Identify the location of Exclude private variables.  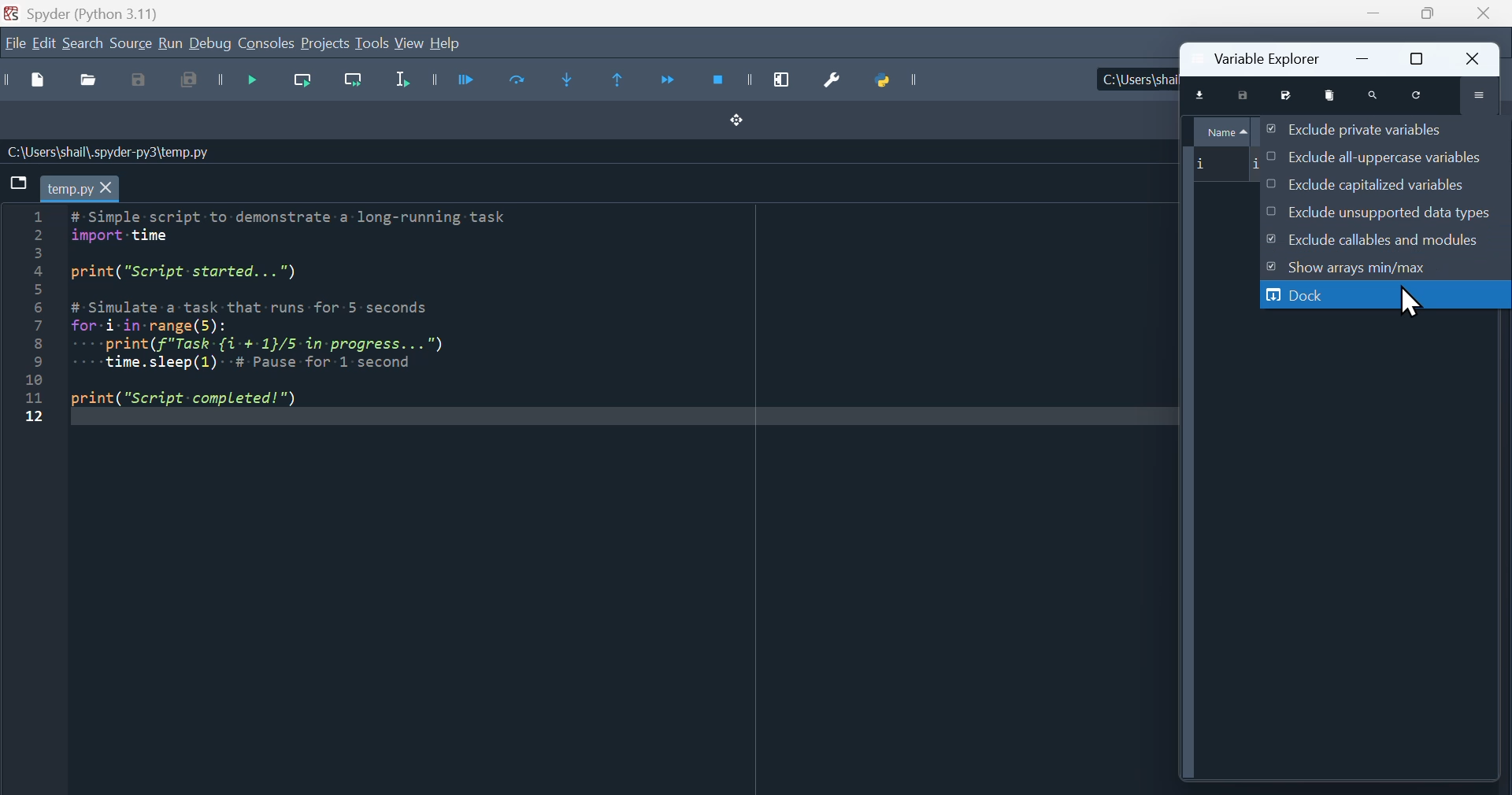
(1352, 128).